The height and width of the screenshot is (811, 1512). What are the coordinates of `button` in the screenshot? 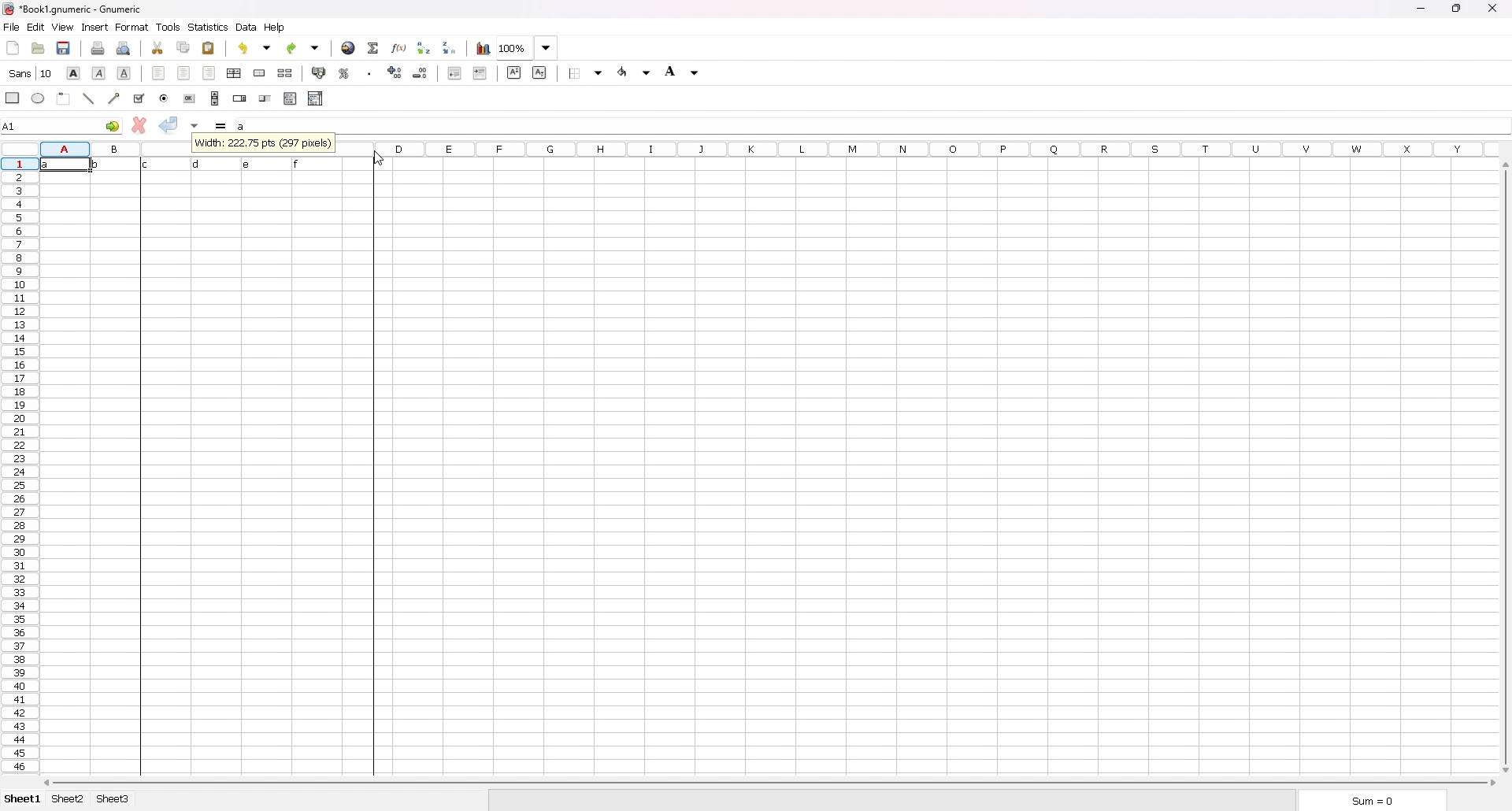 It's located at (191, 98).